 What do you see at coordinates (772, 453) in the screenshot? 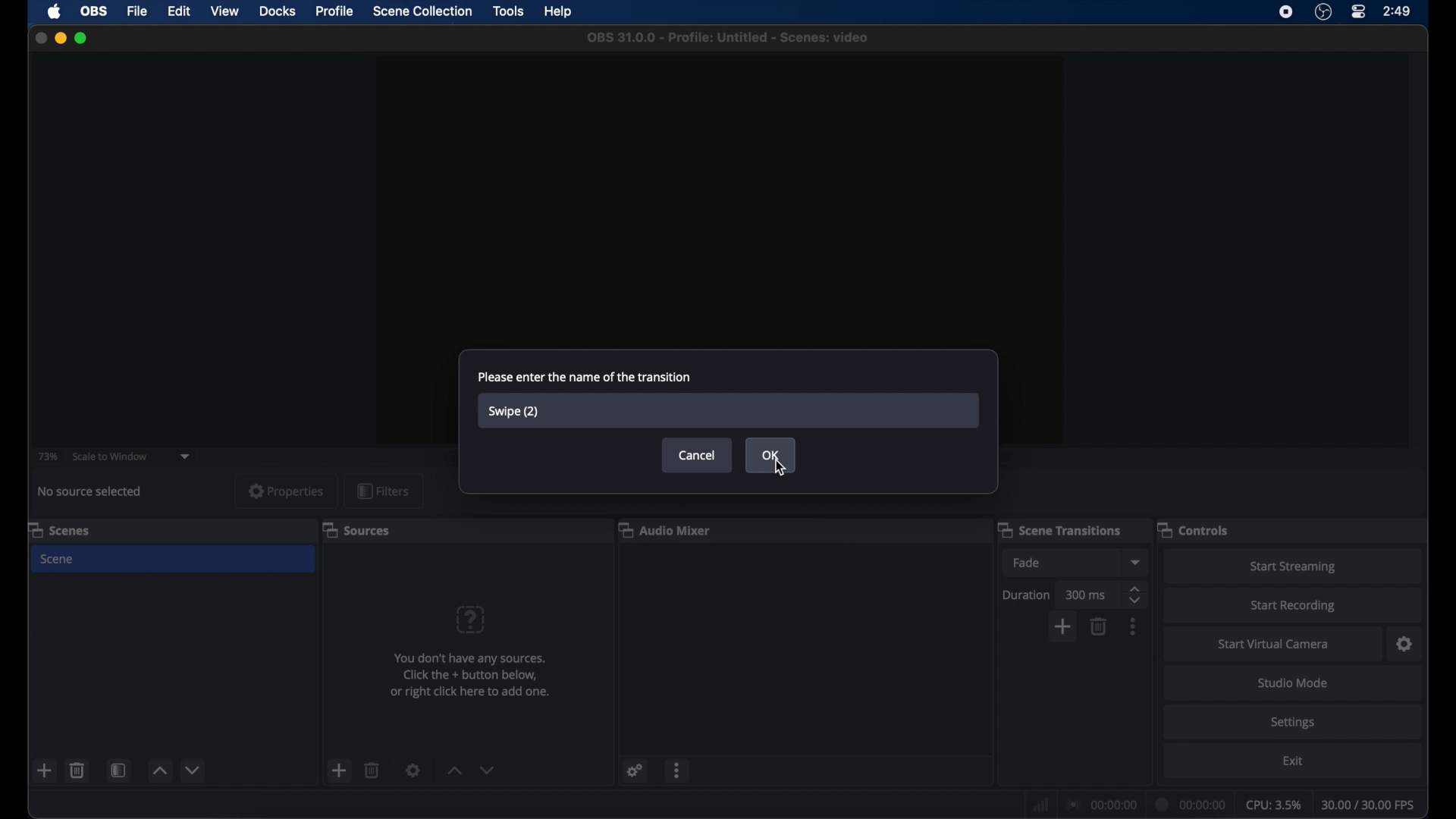
I see `ok` at bounding box center [772, 453].